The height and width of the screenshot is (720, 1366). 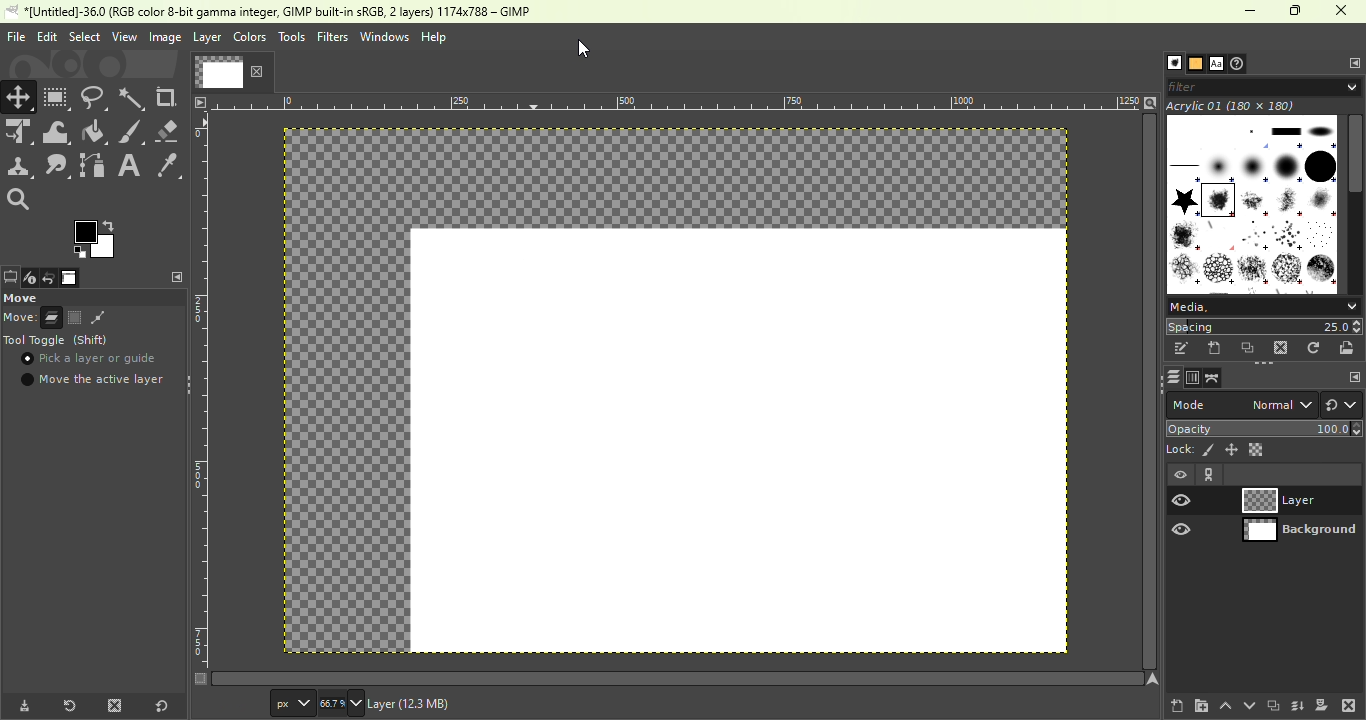 What do you see at coordinates (1349, 376) in the screenshot?
I see `Configure this tab` at bounding box center [1349, 376].